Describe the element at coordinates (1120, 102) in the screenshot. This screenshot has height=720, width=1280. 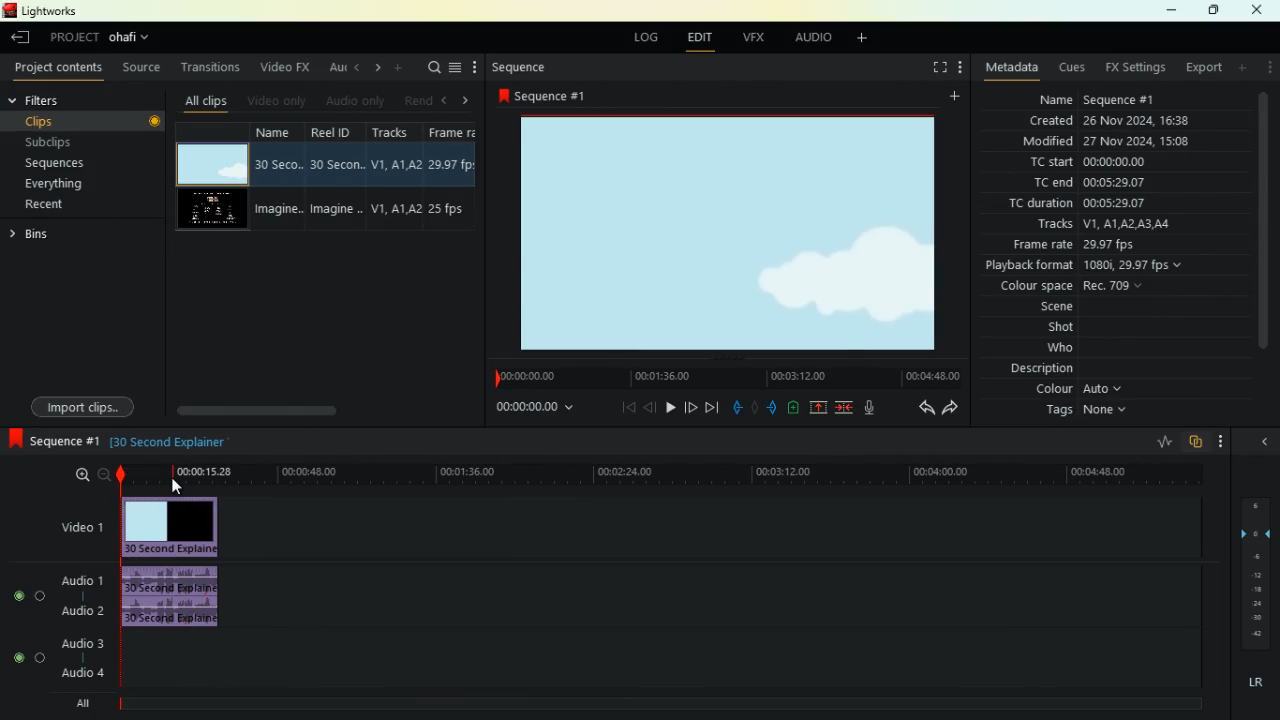
I see `Sequence #1` at that location.